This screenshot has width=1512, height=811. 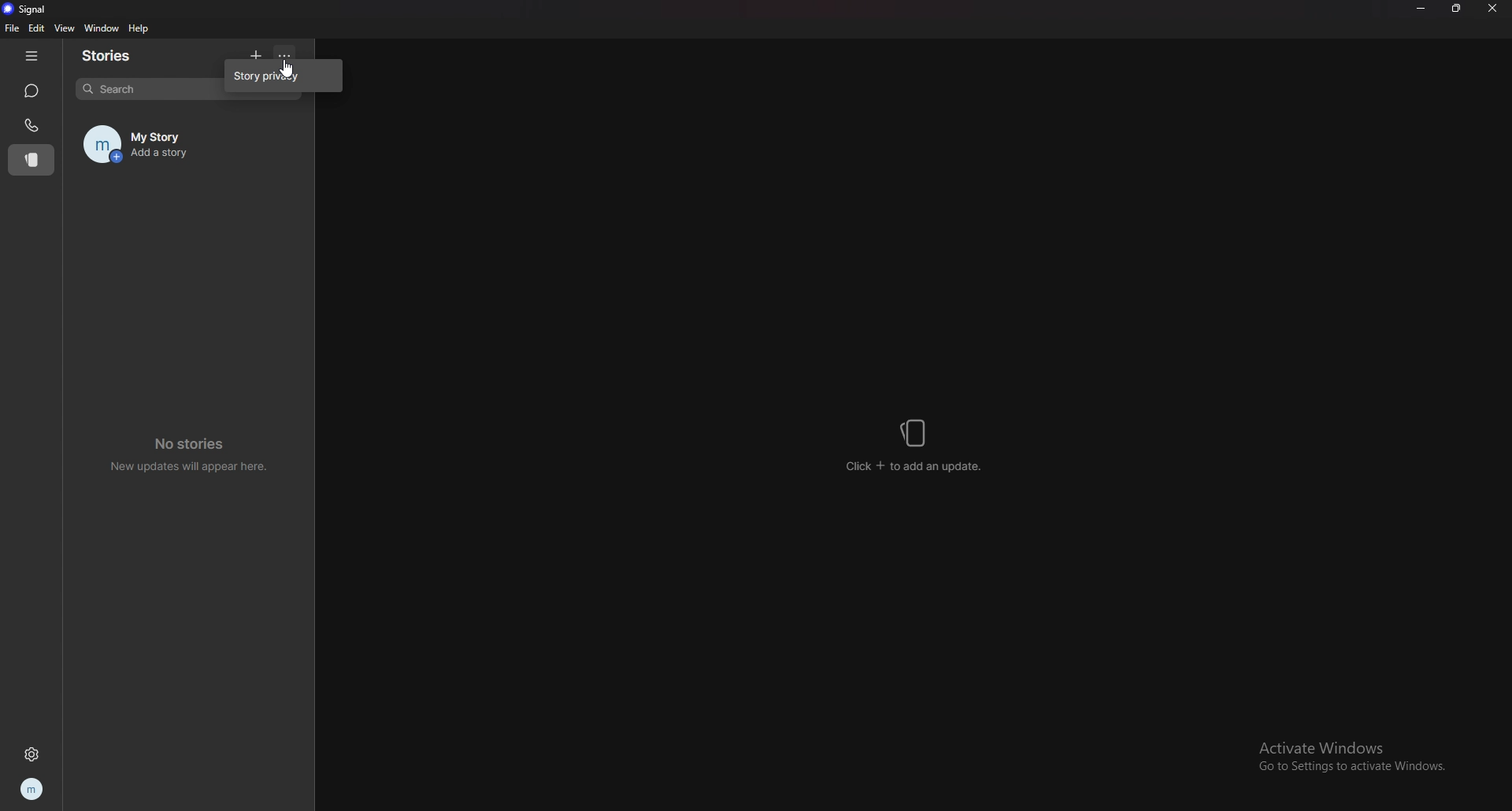 What do you see at coordinates (32, 91) in the screenshot?
I see `chats` at bounding box center [32, 91].